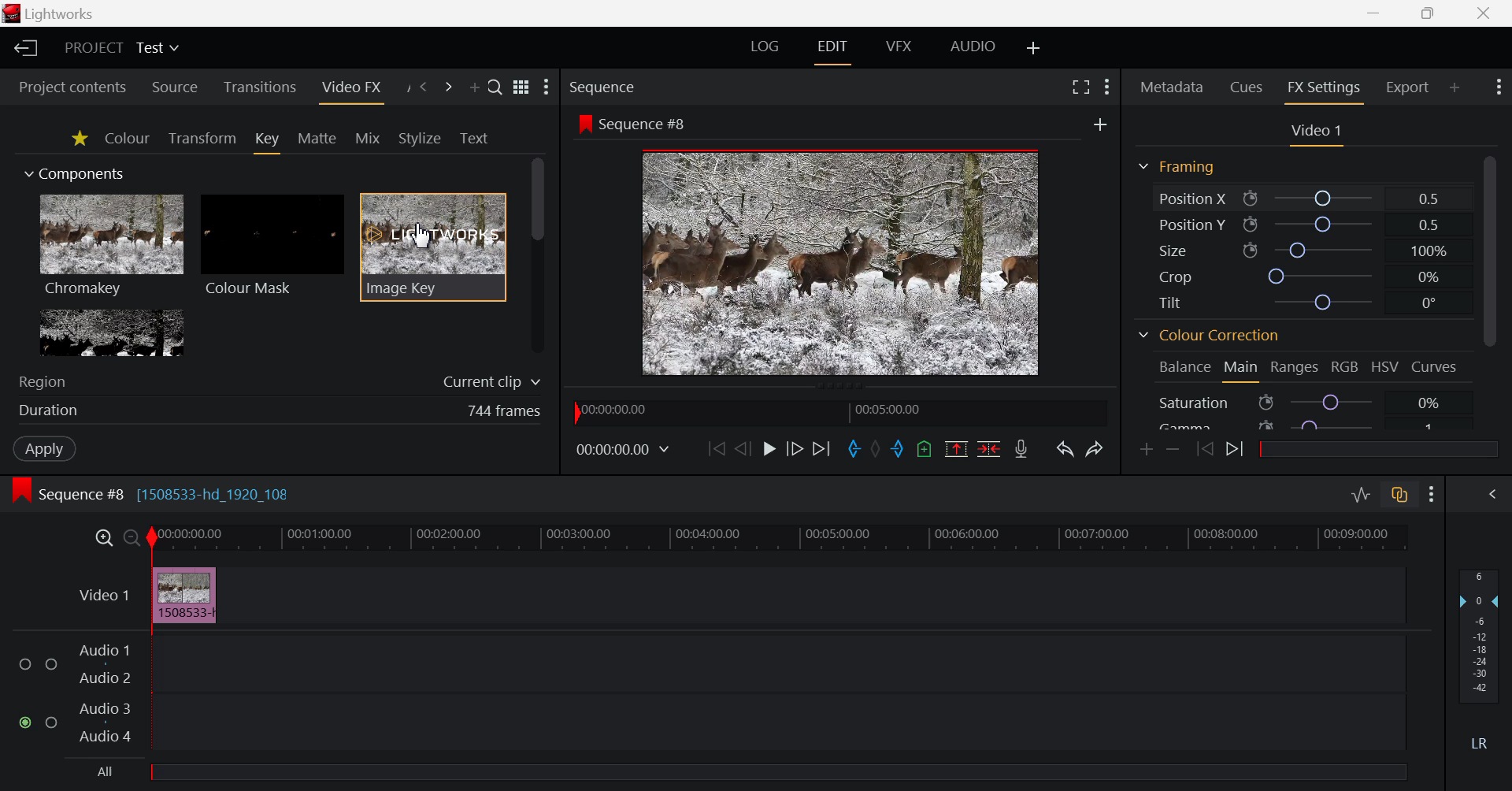  Describe the element at coordinates (892, 410) in the screenshot. I see `00:05:00.00` at that location.